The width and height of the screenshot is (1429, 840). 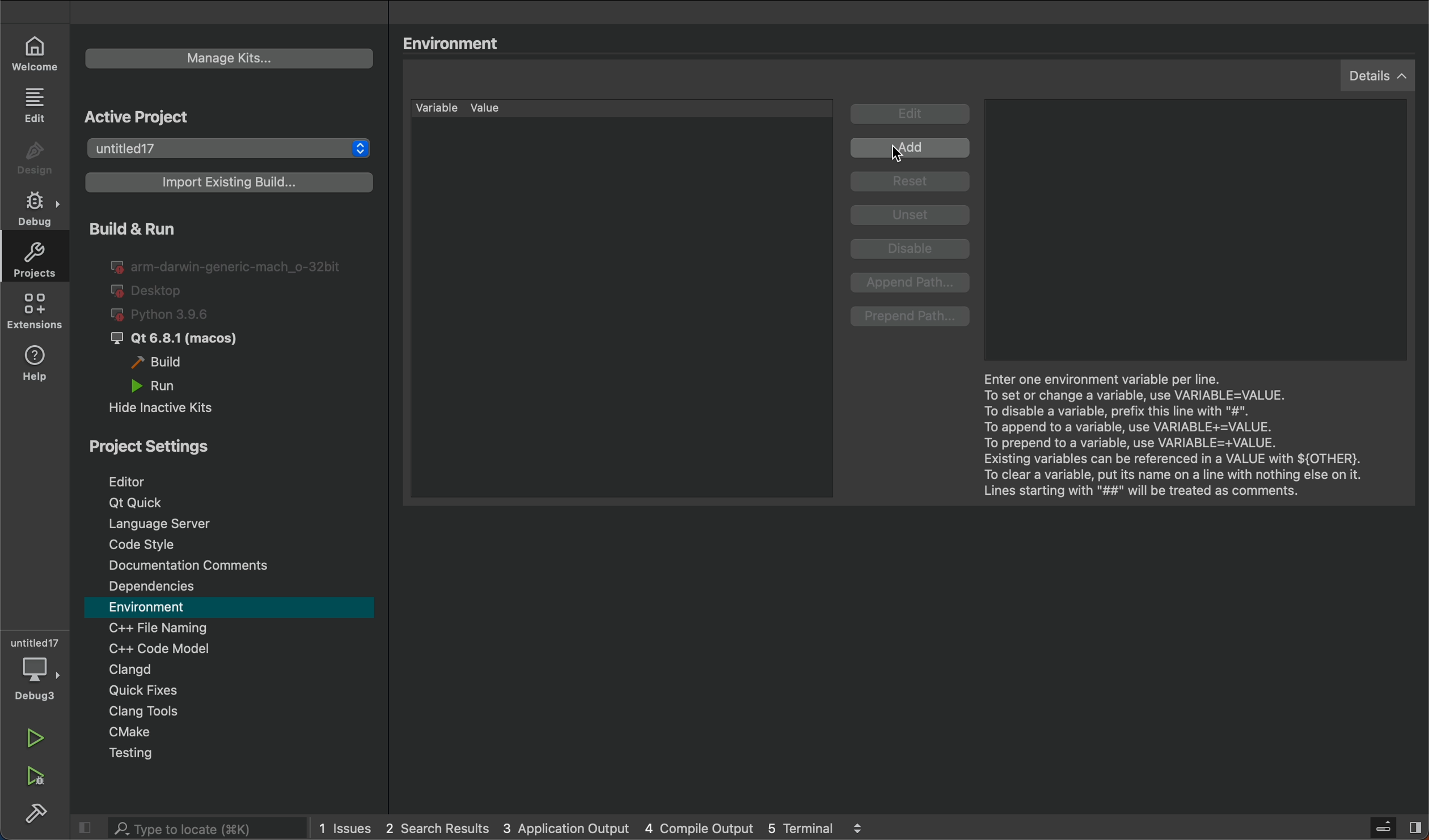 I want to click on 5 terminal, so click(x=820, y=828).